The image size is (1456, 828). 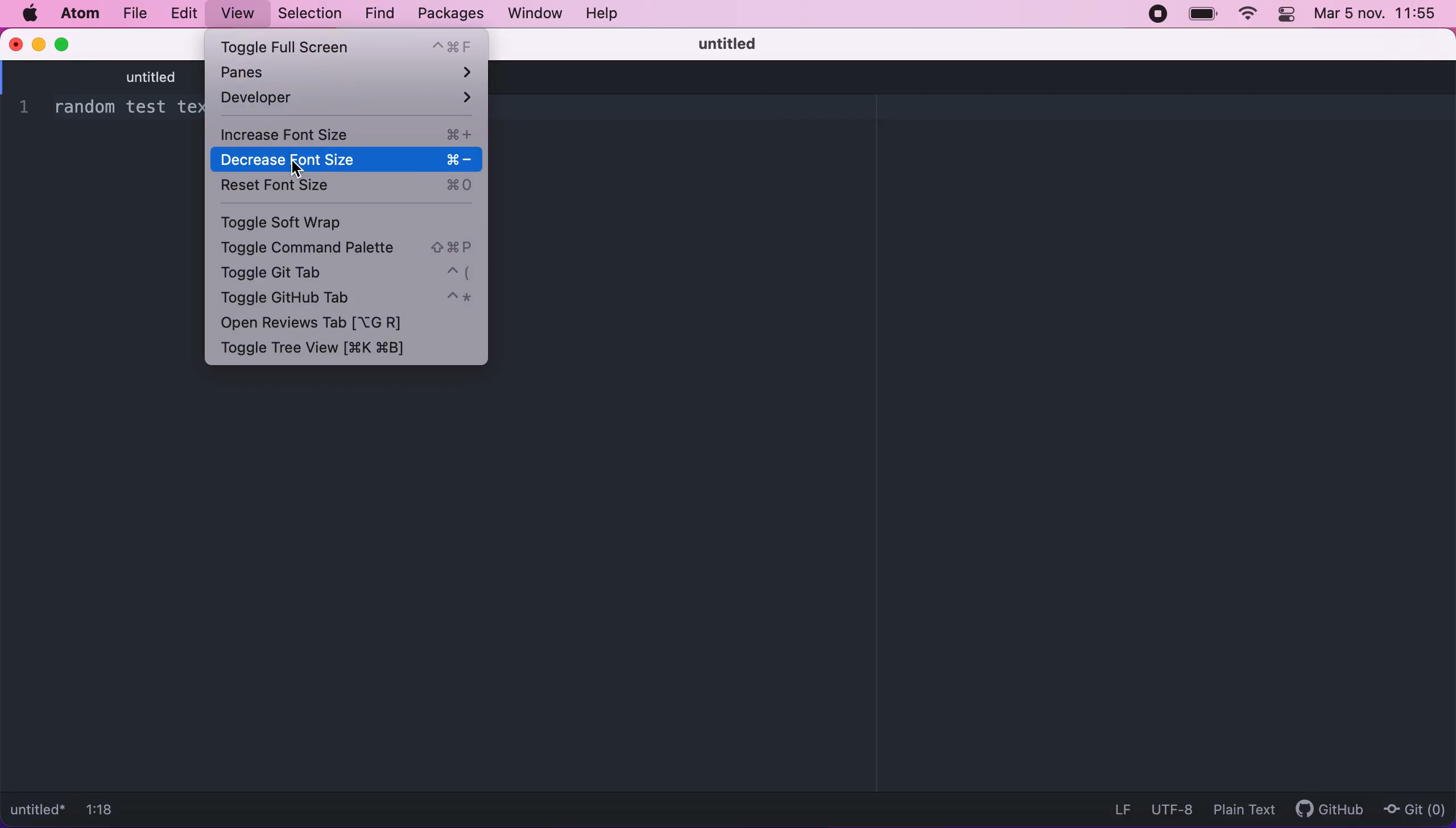 I want to click on find, so click(x=379, y=15).